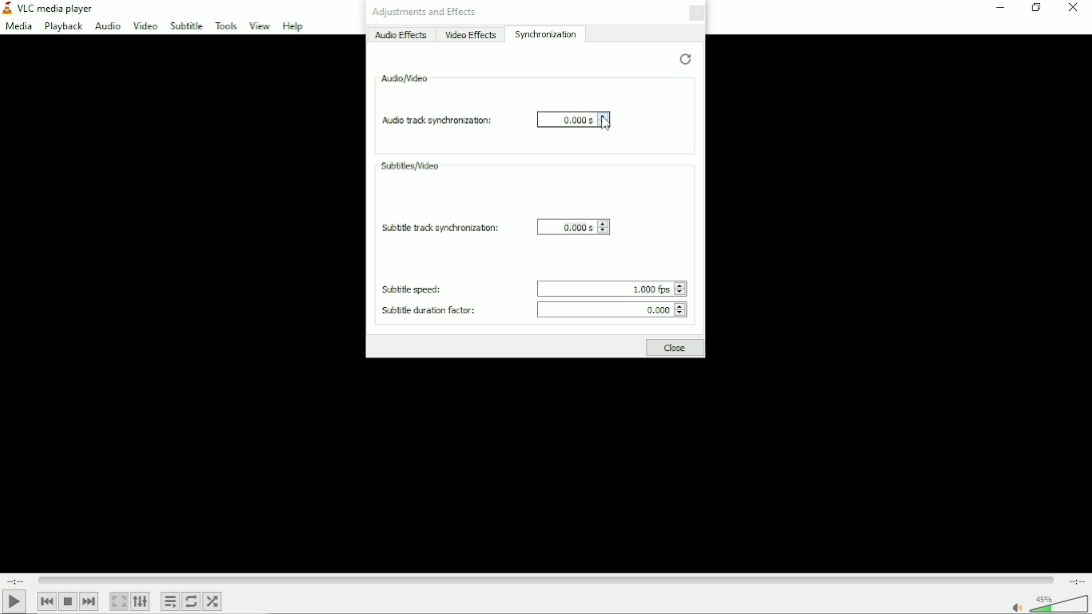 The width and height of the screenshot is (1092, 614). I want to click on Synchronization, so click(547, 34).